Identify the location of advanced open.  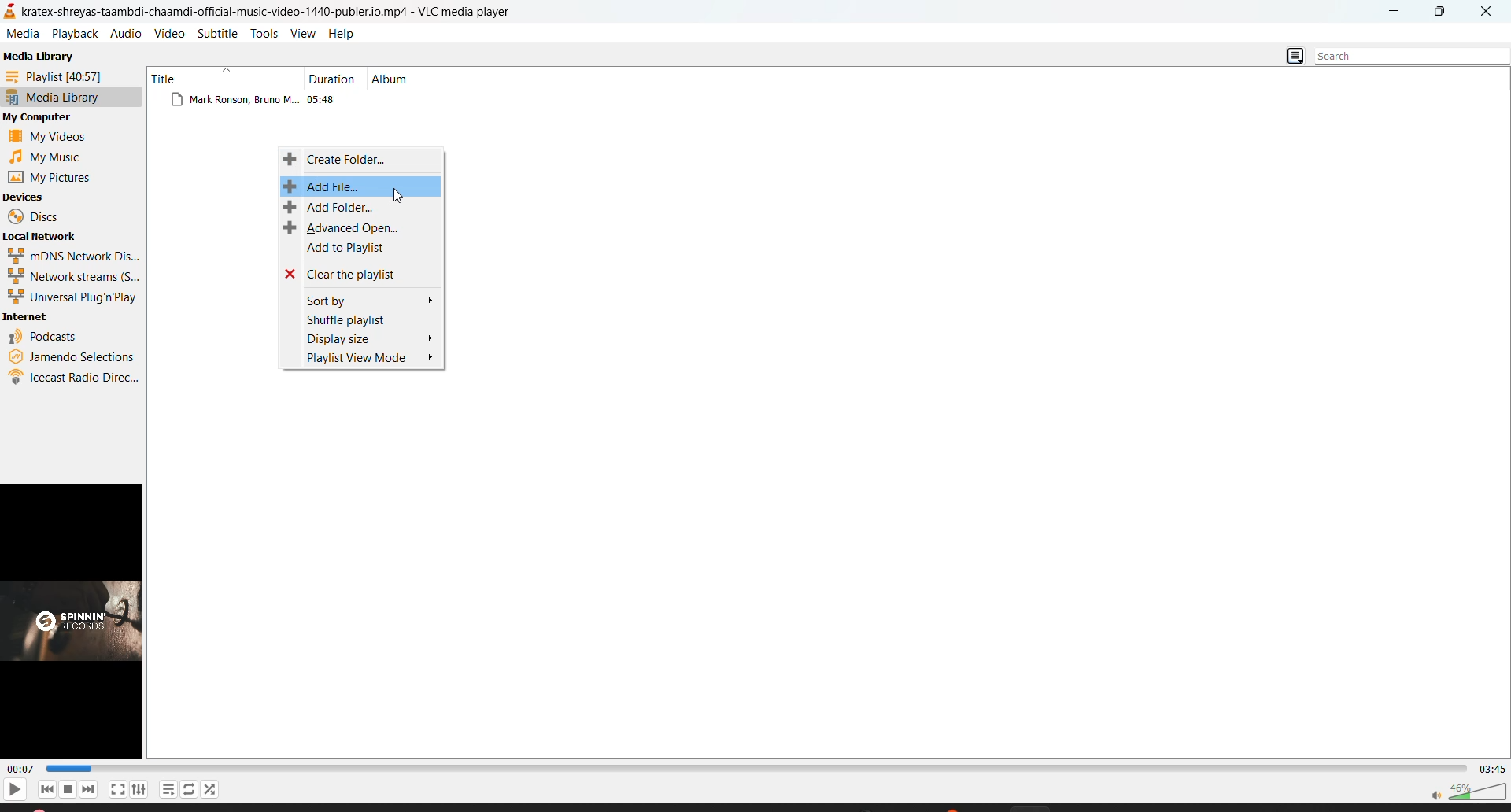
(342, 226).